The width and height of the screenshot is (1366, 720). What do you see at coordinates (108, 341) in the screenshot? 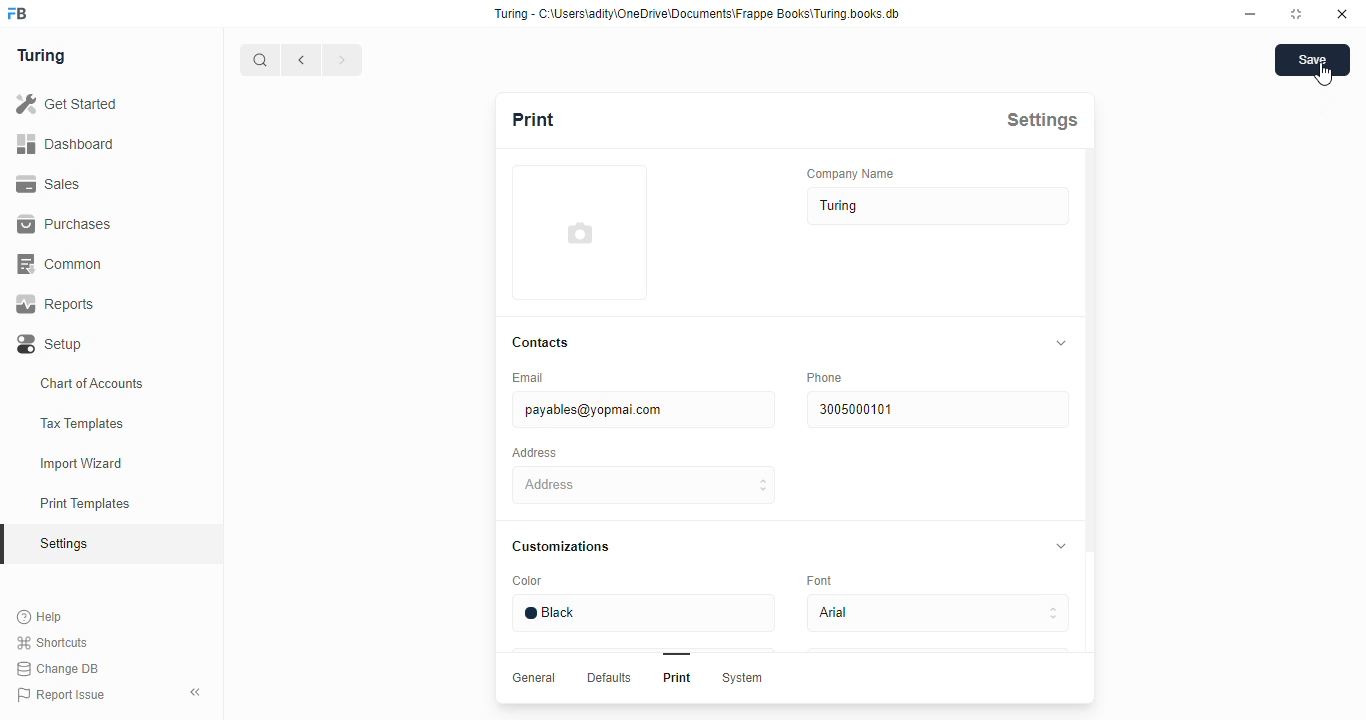
I see `Setup` at bounding box center [108, 341].